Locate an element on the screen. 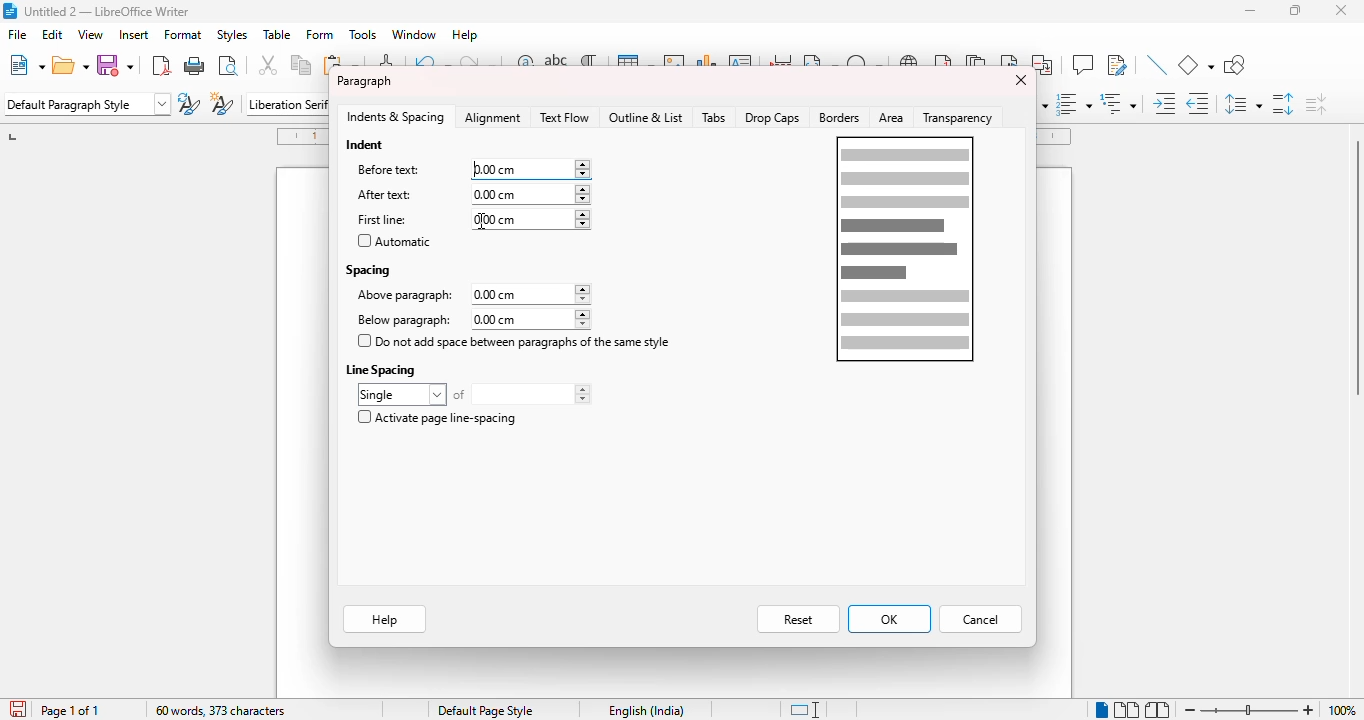  zoom in is located at coordinates (1309, 709).